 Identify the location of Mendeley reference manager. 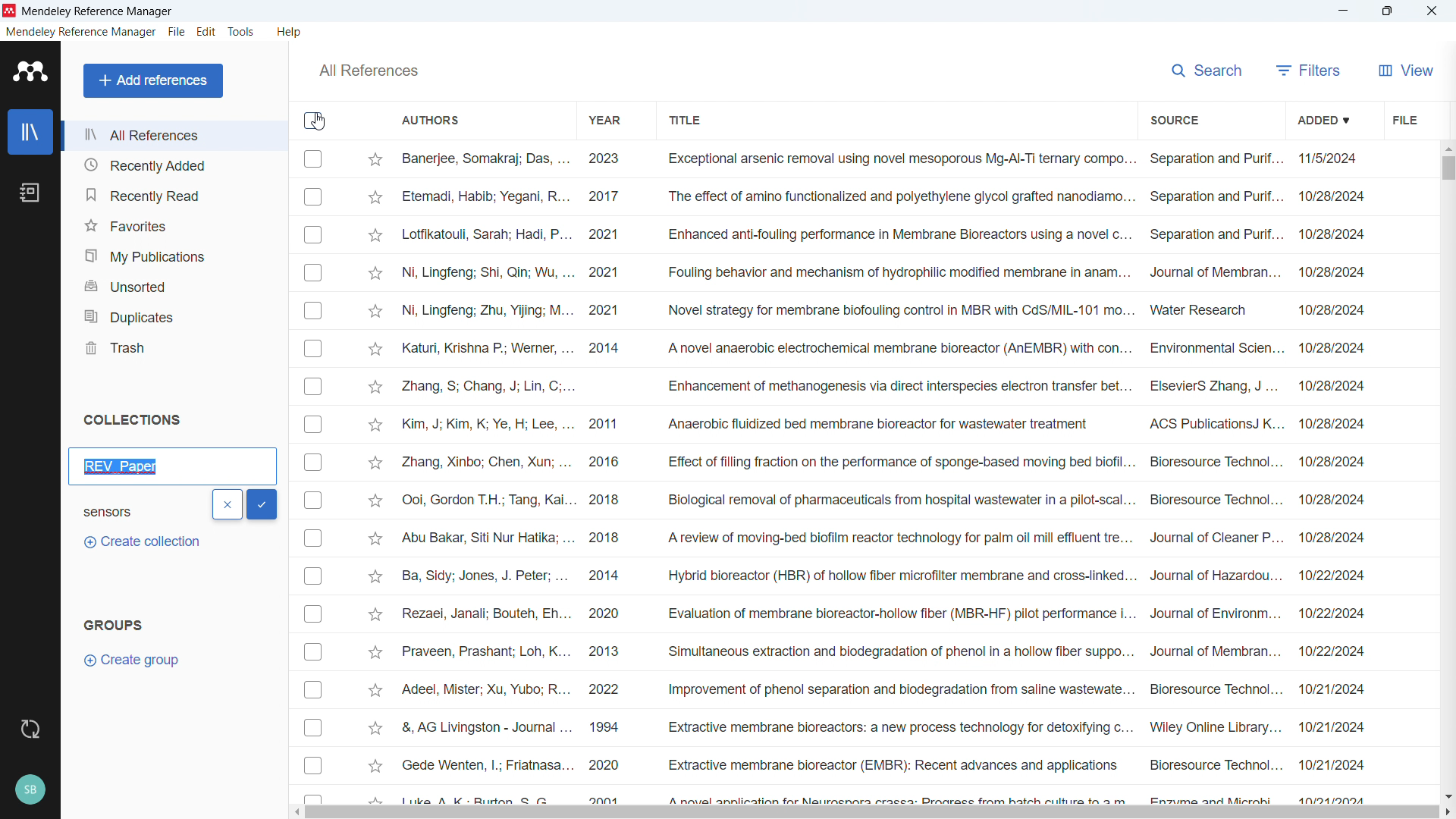
(99, 11).